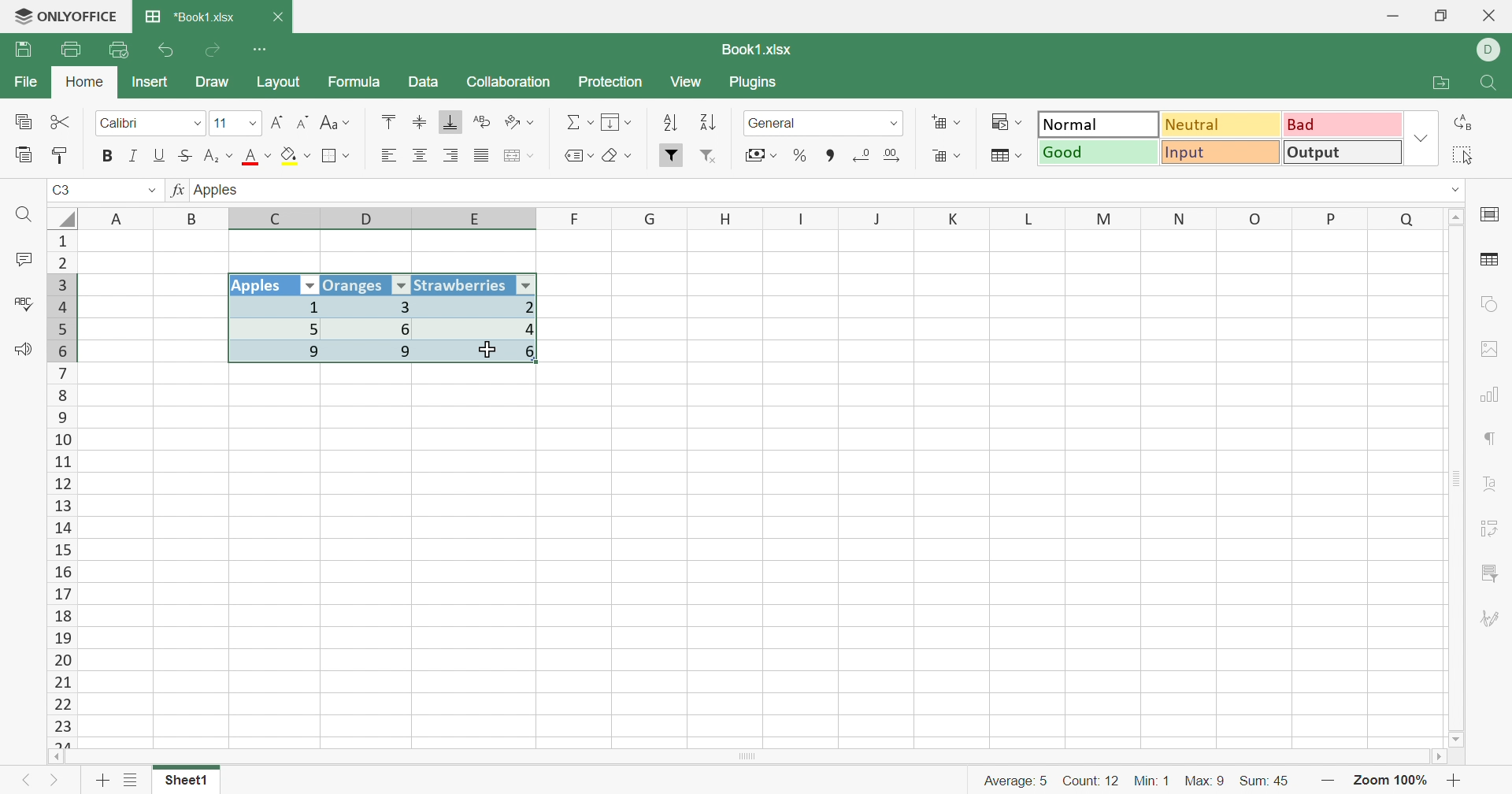 The width and height of the screenshot is (1512, 794). Describe the element at coordinates (651, 218) in the screenshot. I see `G` at that location.